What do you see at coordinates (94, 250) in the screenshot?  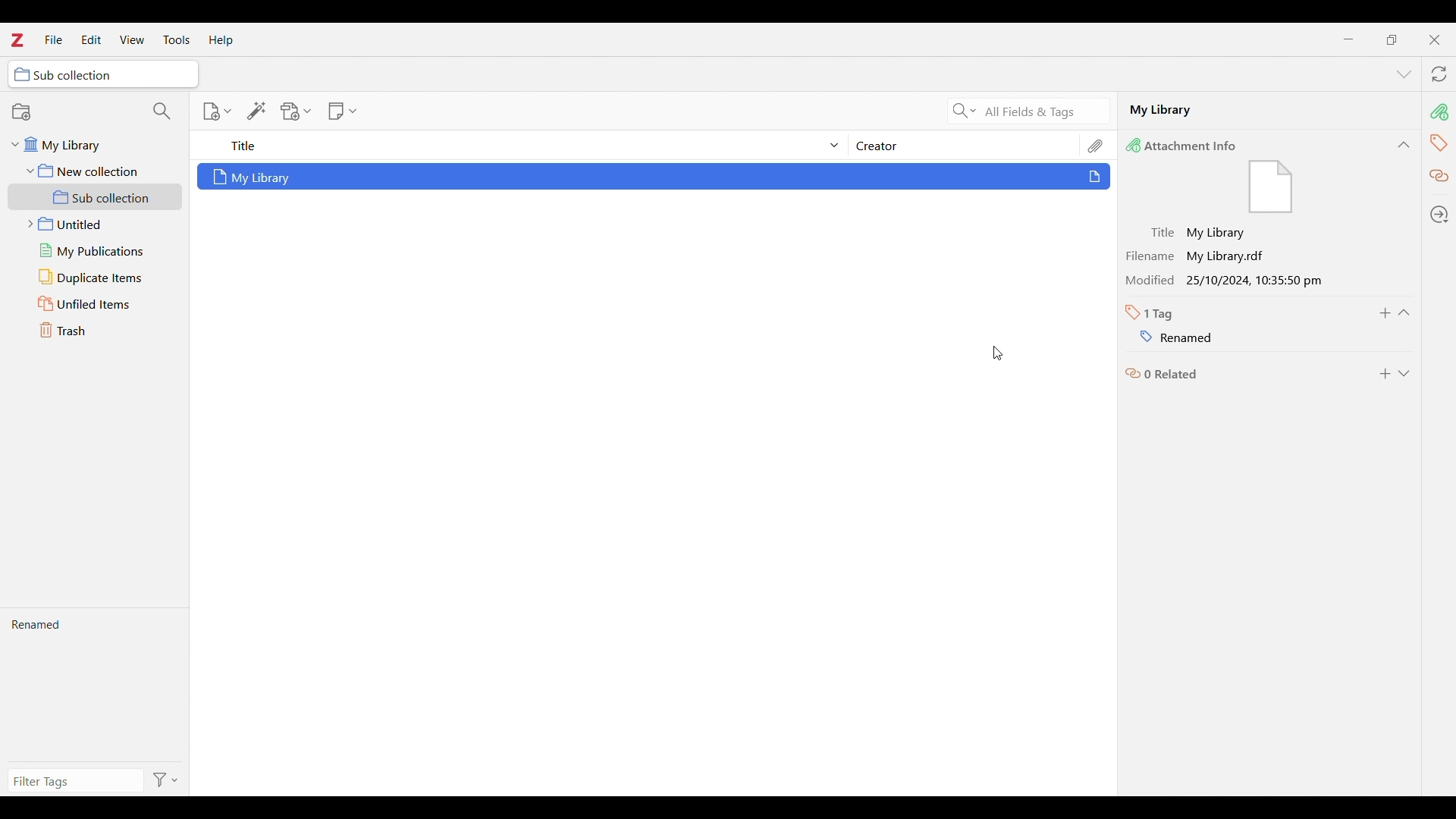 I see `My publications folder` at bounding box center [94, 250].